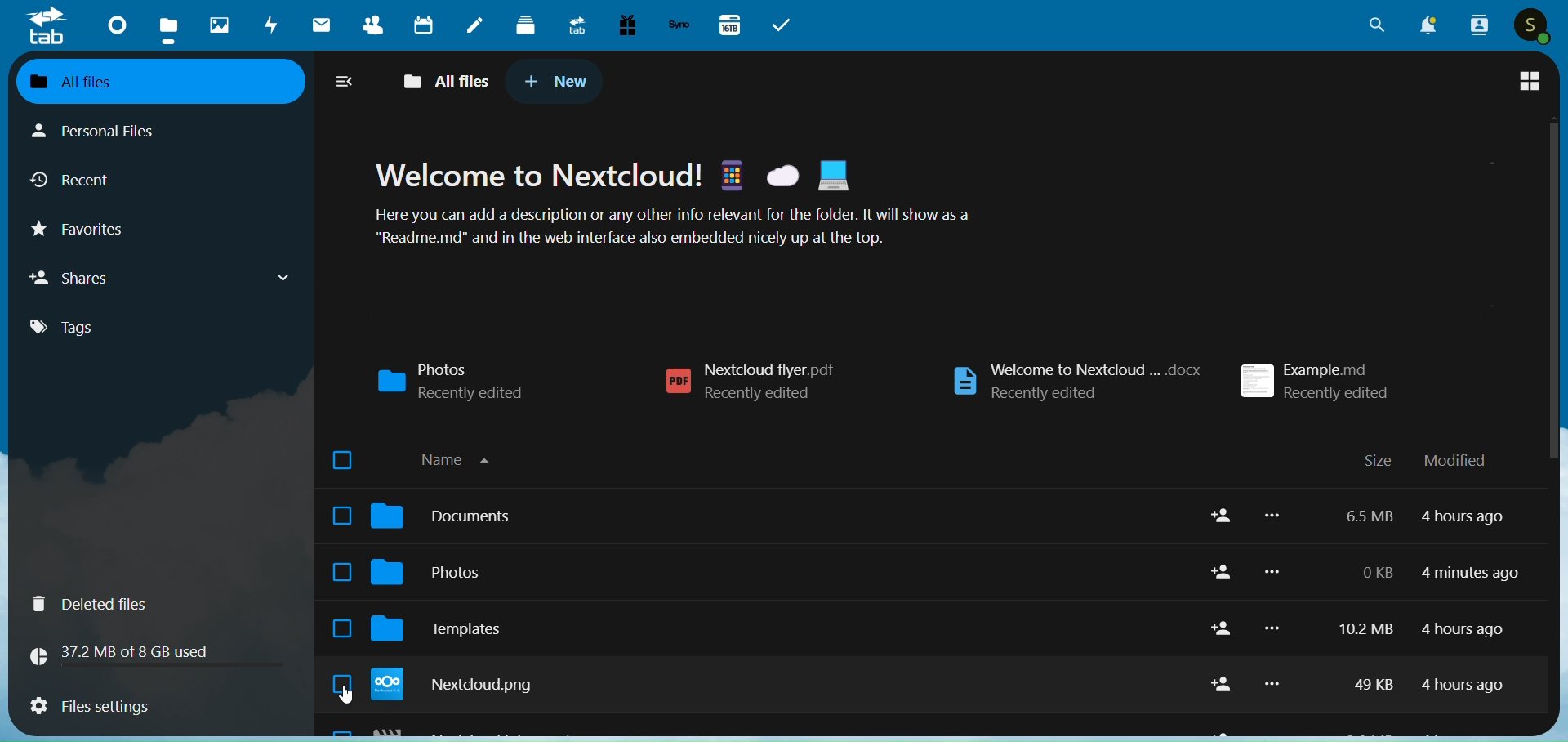 The image size is (1568, 742). I want to click on Deleted files, so click(160, 604).